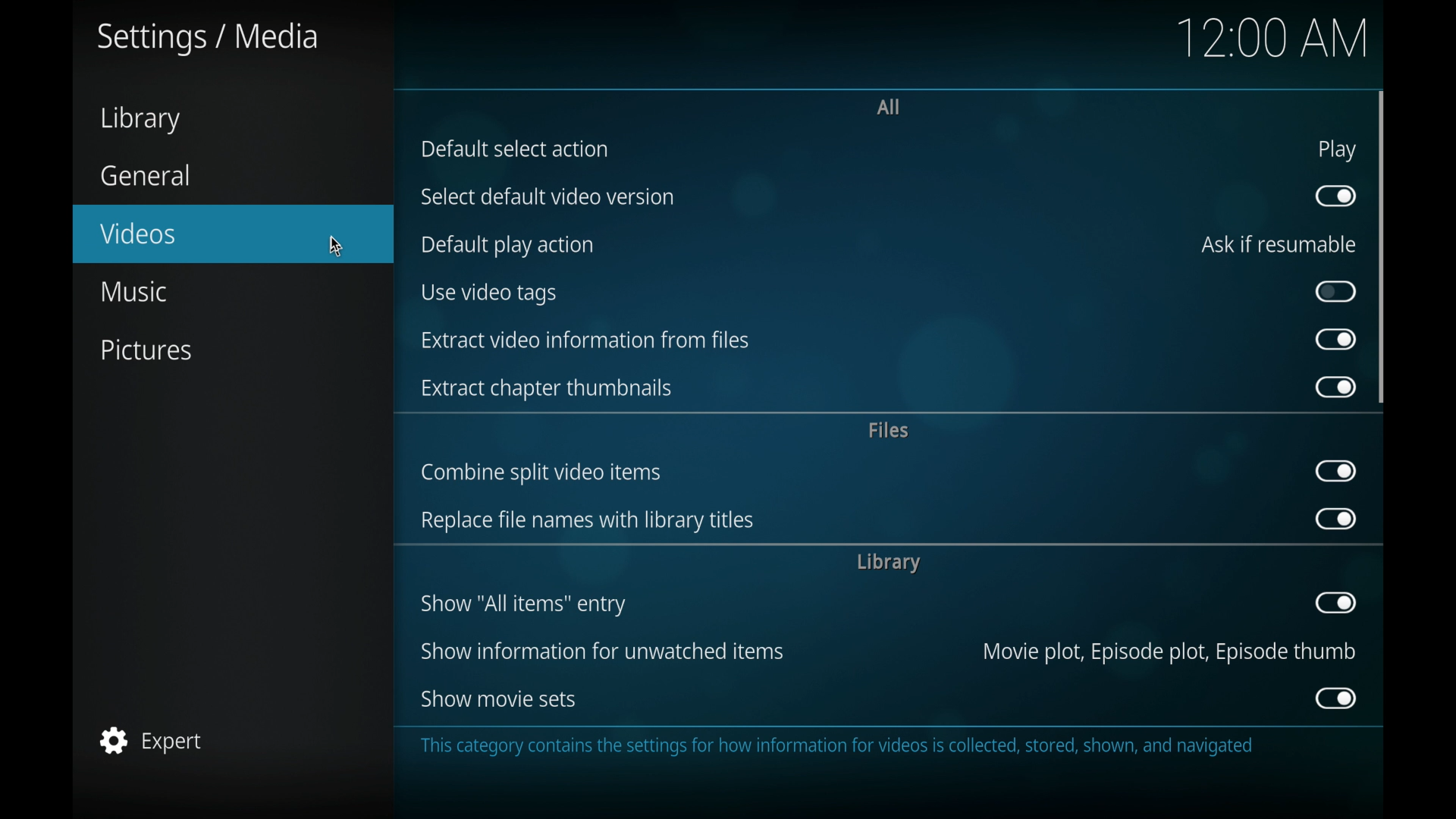 Image resolution: width=1456 pixels, height=819 pixels. What do you see at coordinates (132, 291) in the screenshot?
I see `music` at bounding box center [132, 291].